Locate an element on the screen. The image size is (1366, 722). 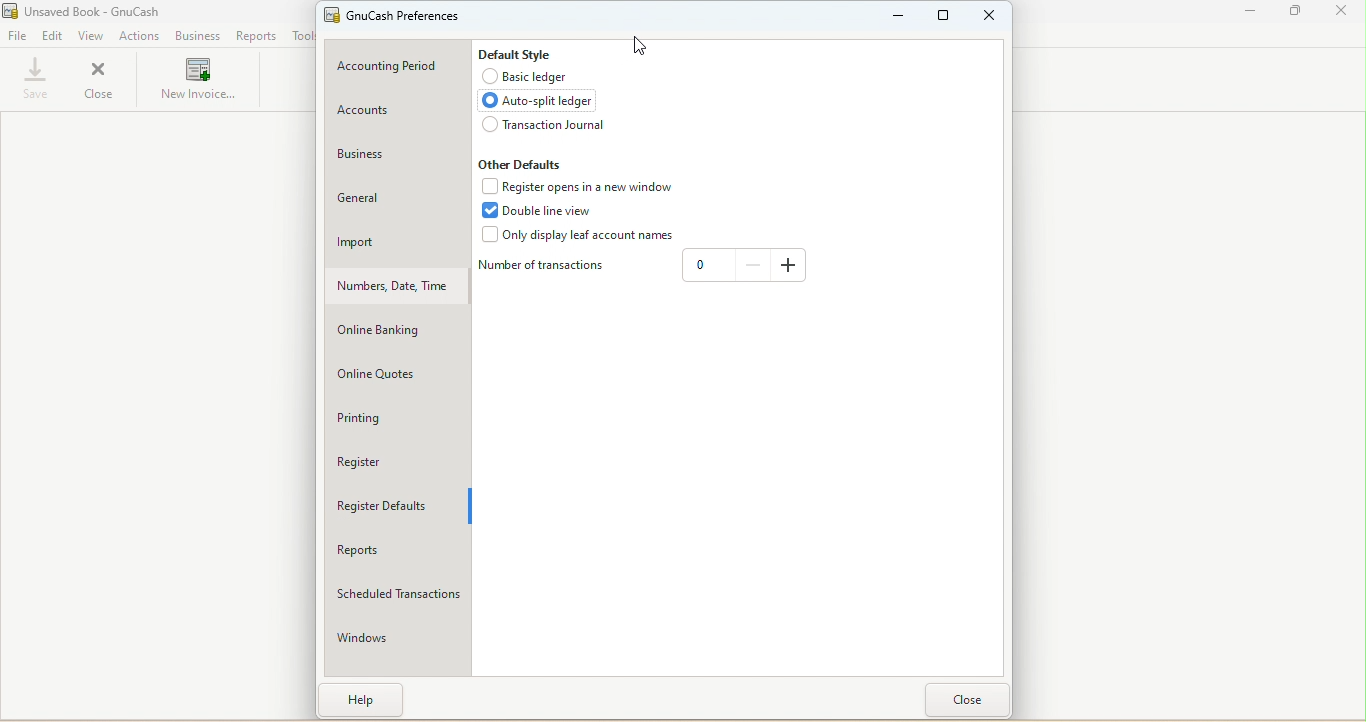
Accounting period is located at coordinates (401, 65).